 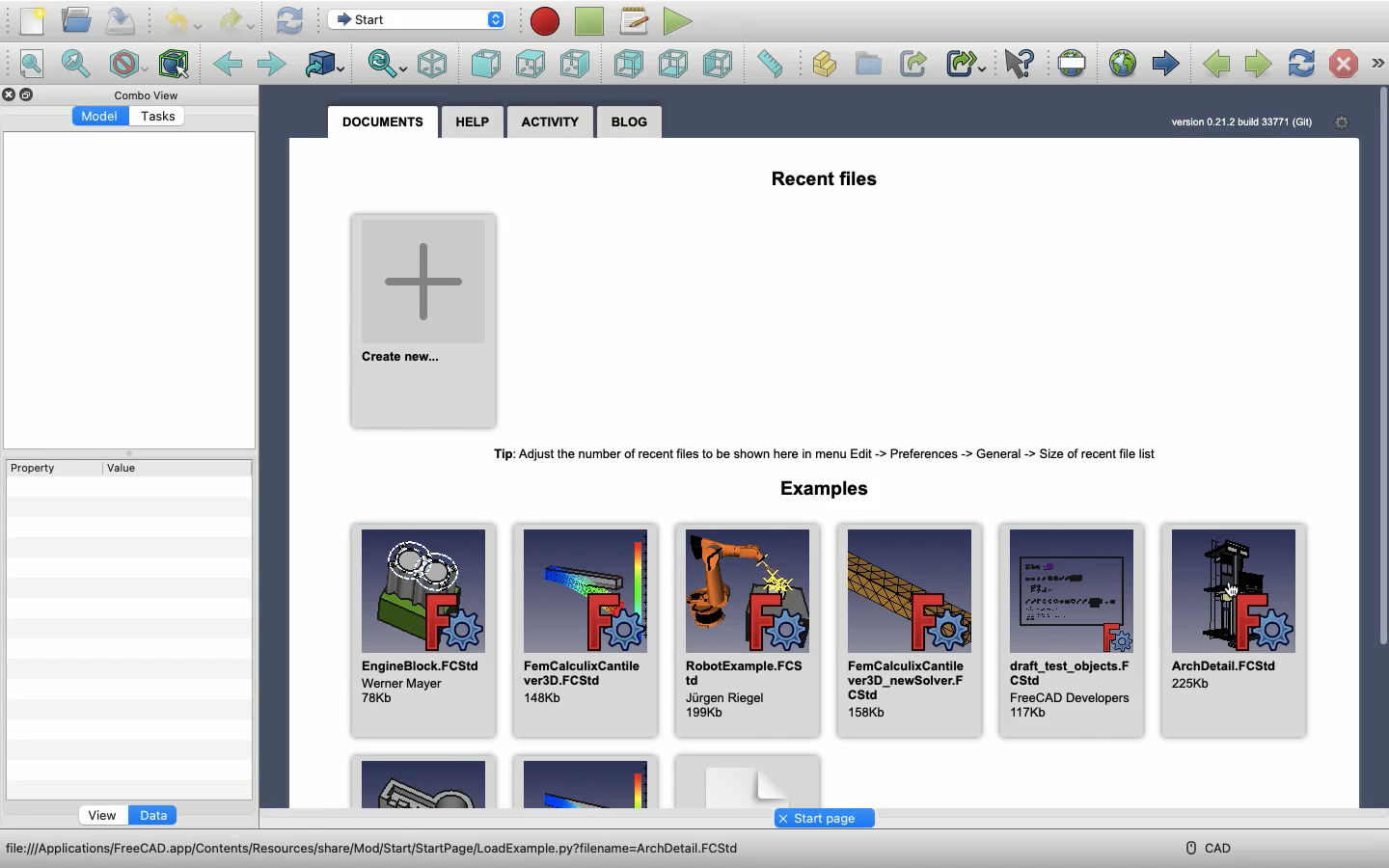 I want to click on Help, so click(x=468, y=121).